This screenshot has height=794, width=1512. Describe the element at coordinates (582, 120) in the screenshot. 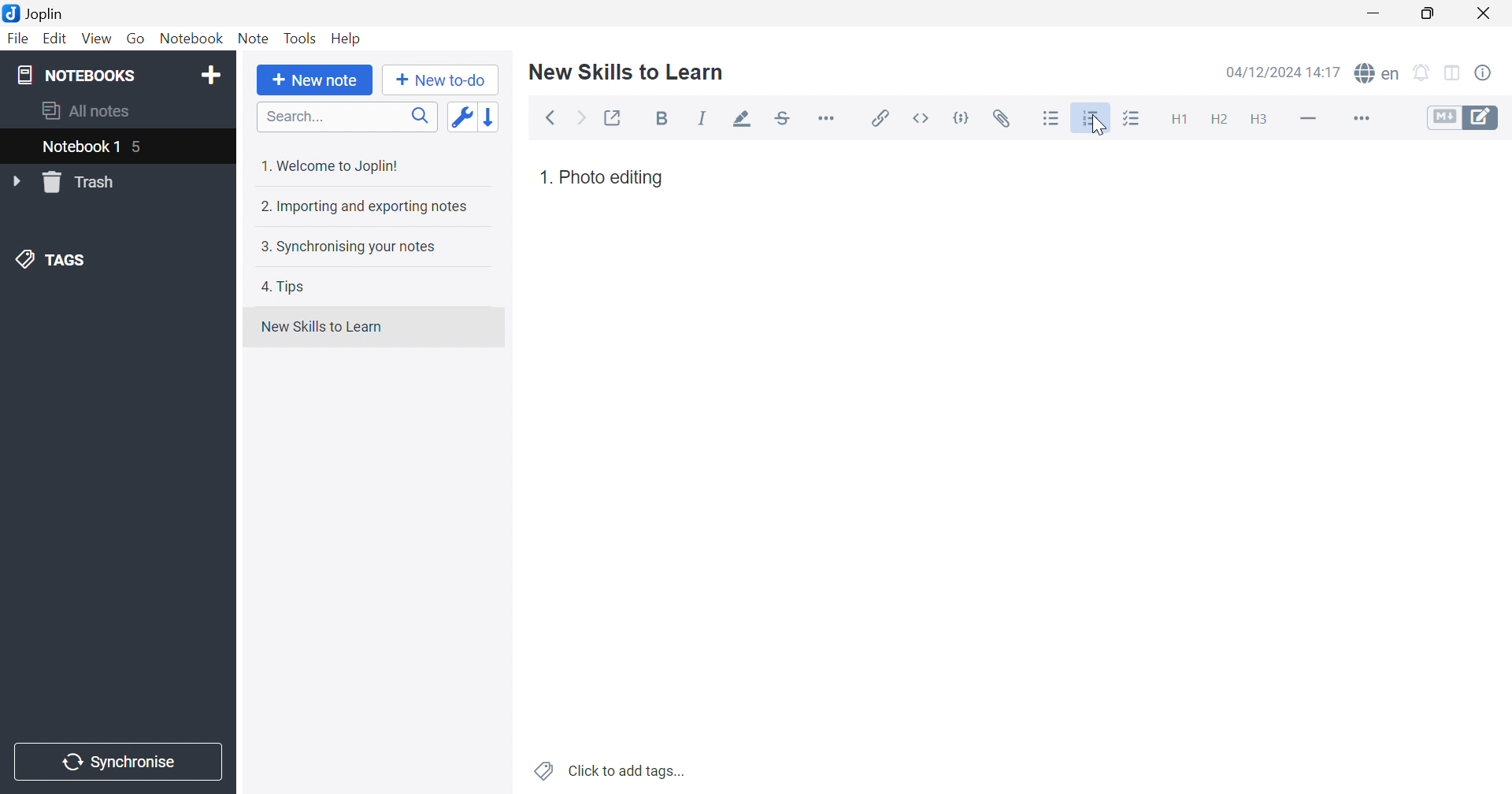

I see `Forward` at that location.